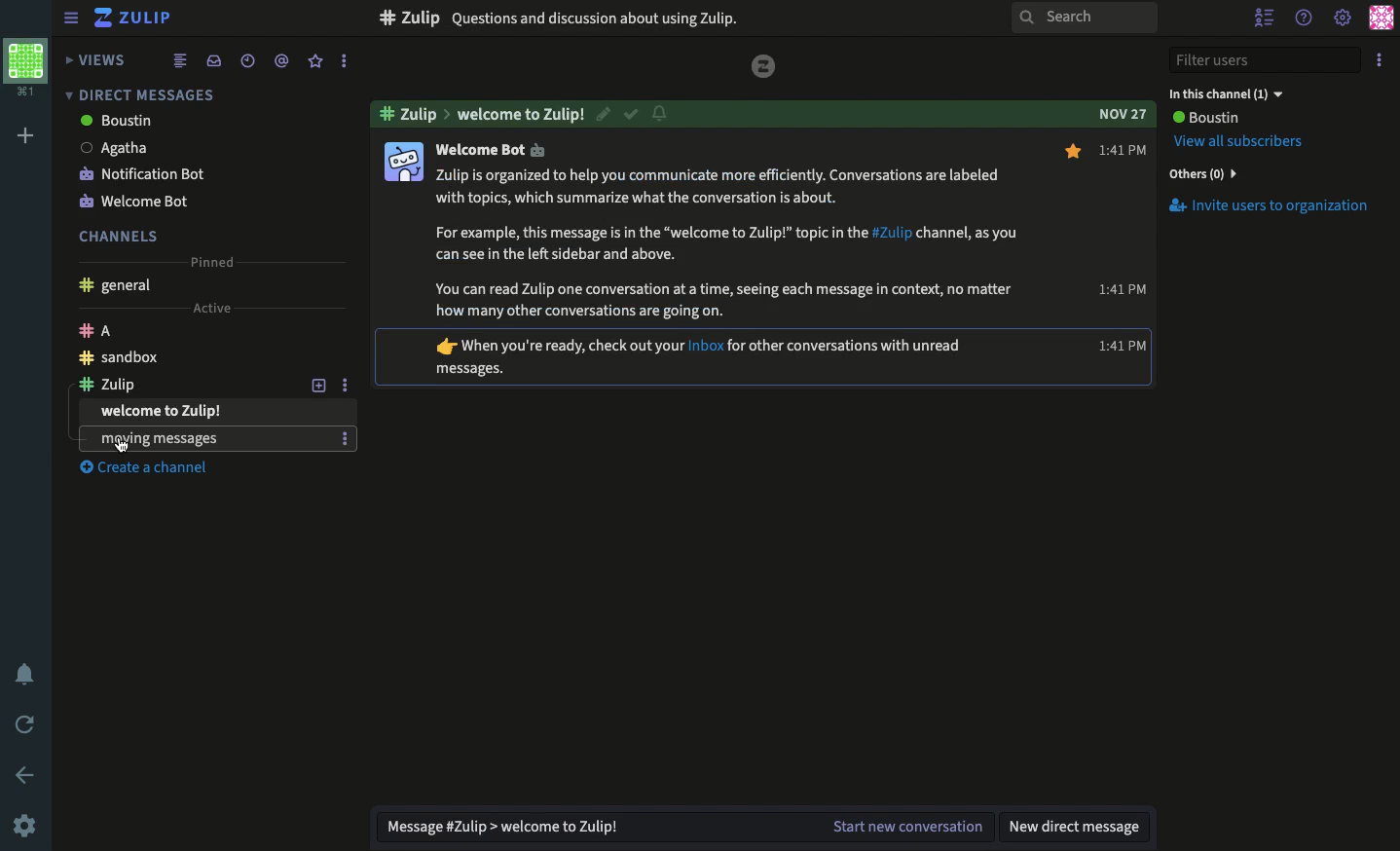 The height and width of the screenshot is (851, 1400). What do you see at coordinates (603, 113) in the screenshot?
I see `Edit` at bounding box center [603, 113].